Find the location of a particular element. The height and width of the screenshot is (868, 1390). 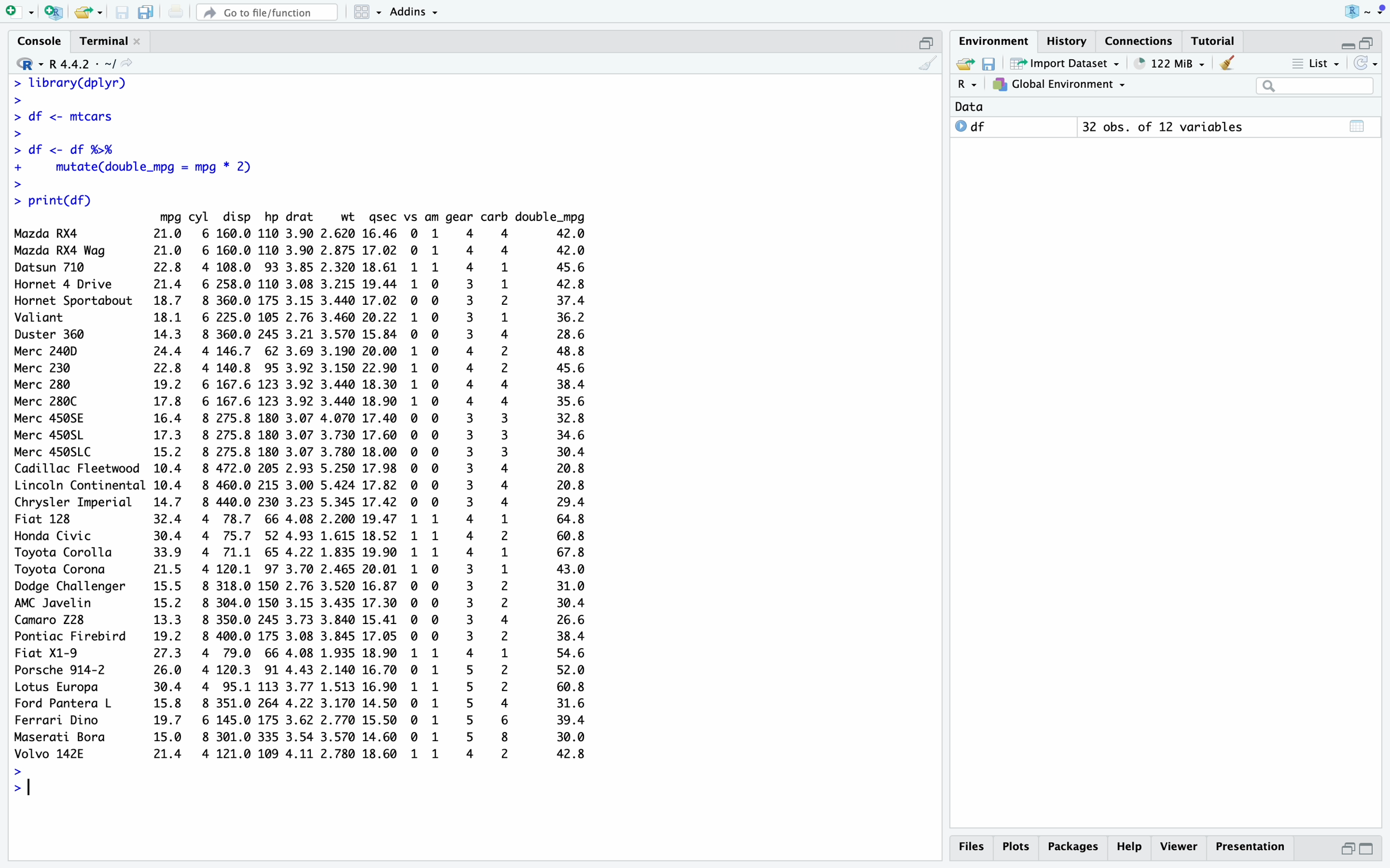

Sync is located at coordinates (1366, 63).